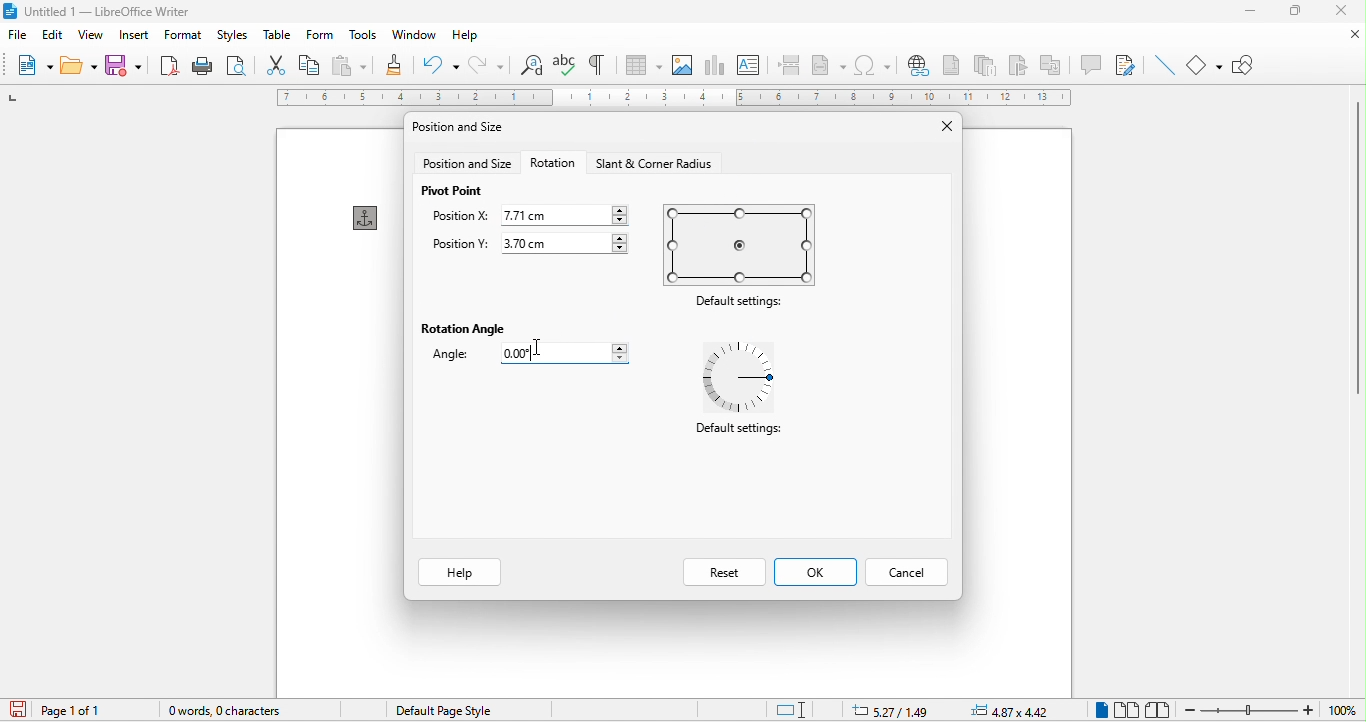 The width and height of the screenshot is (1366, 722). I want to click on click to save the document, so click(16, 710).